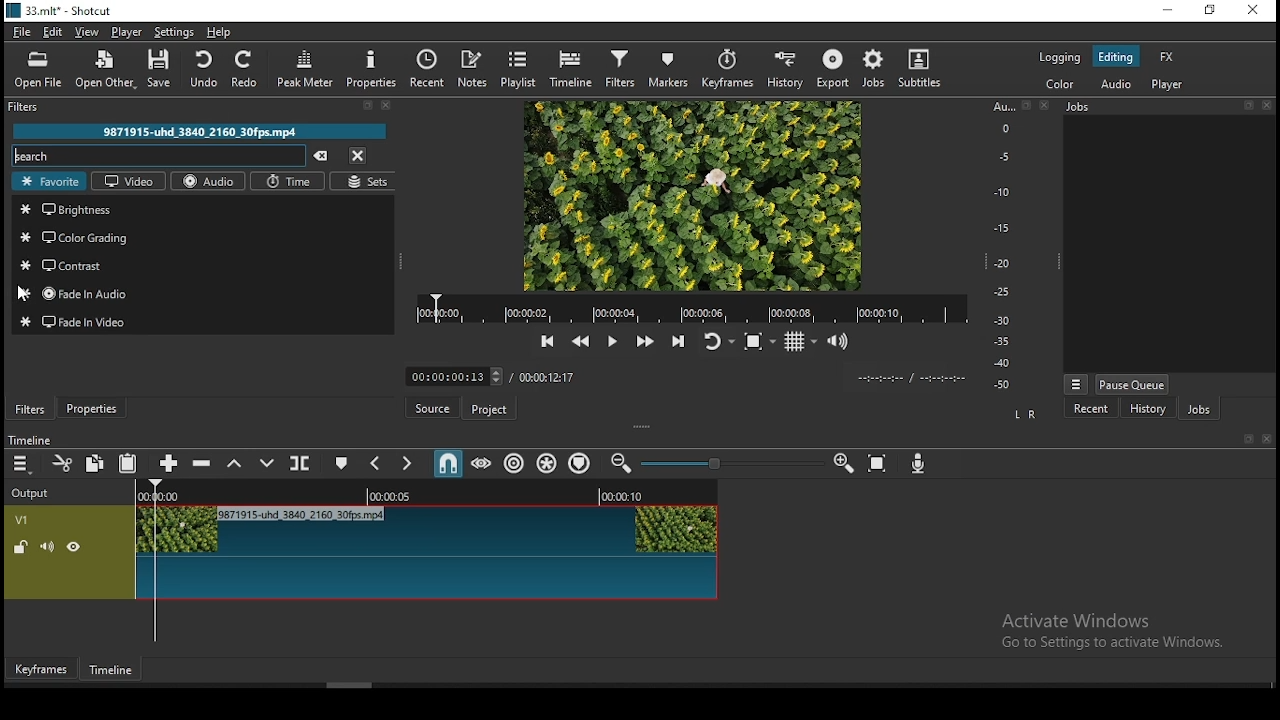 This screenshot has width=1280, height=720. I want to click on snap, so click(450, 465).